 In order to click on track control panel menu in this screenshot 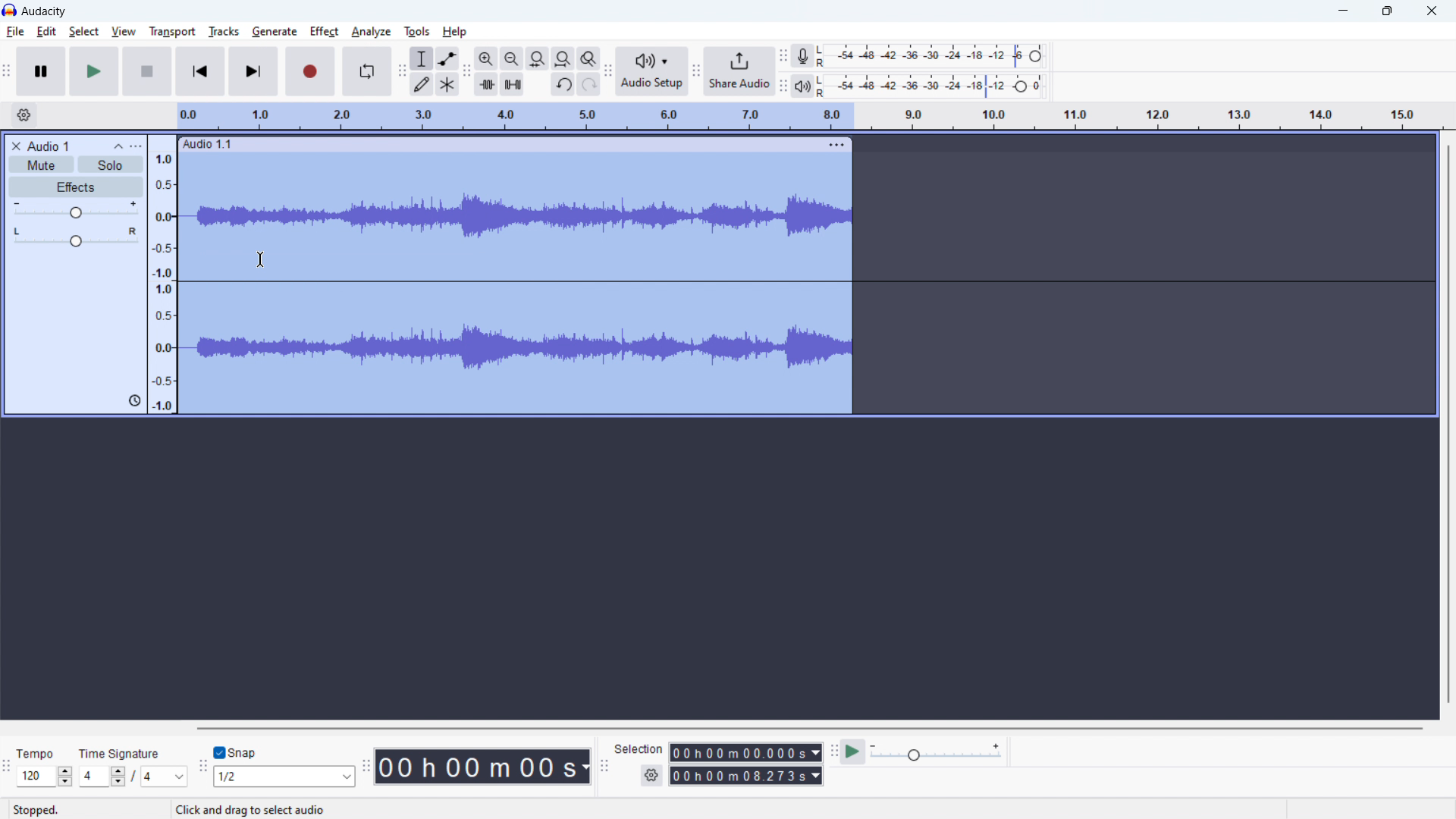, I will do `click(136, 146)`.